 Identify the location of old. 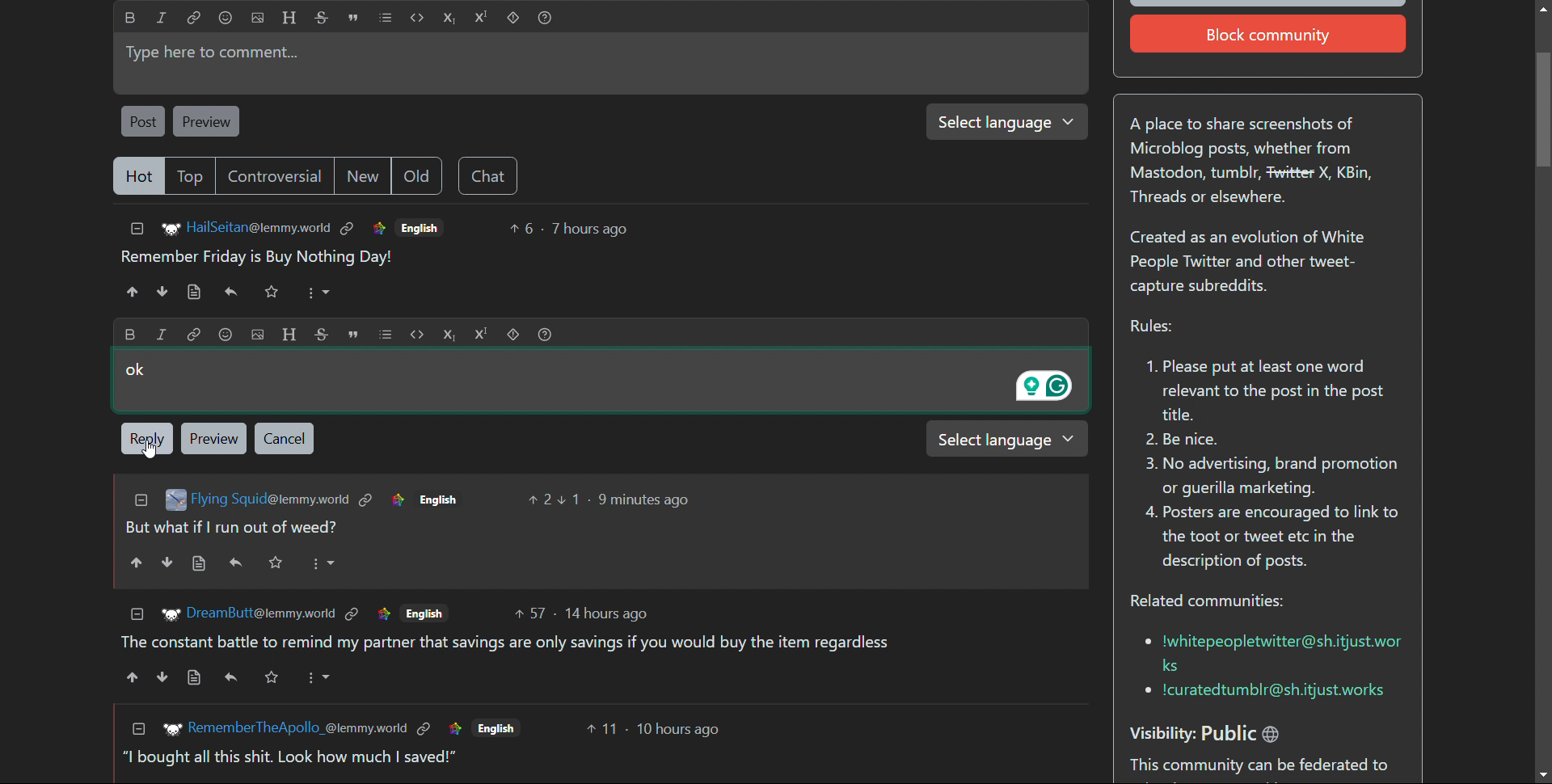
(416, 176).